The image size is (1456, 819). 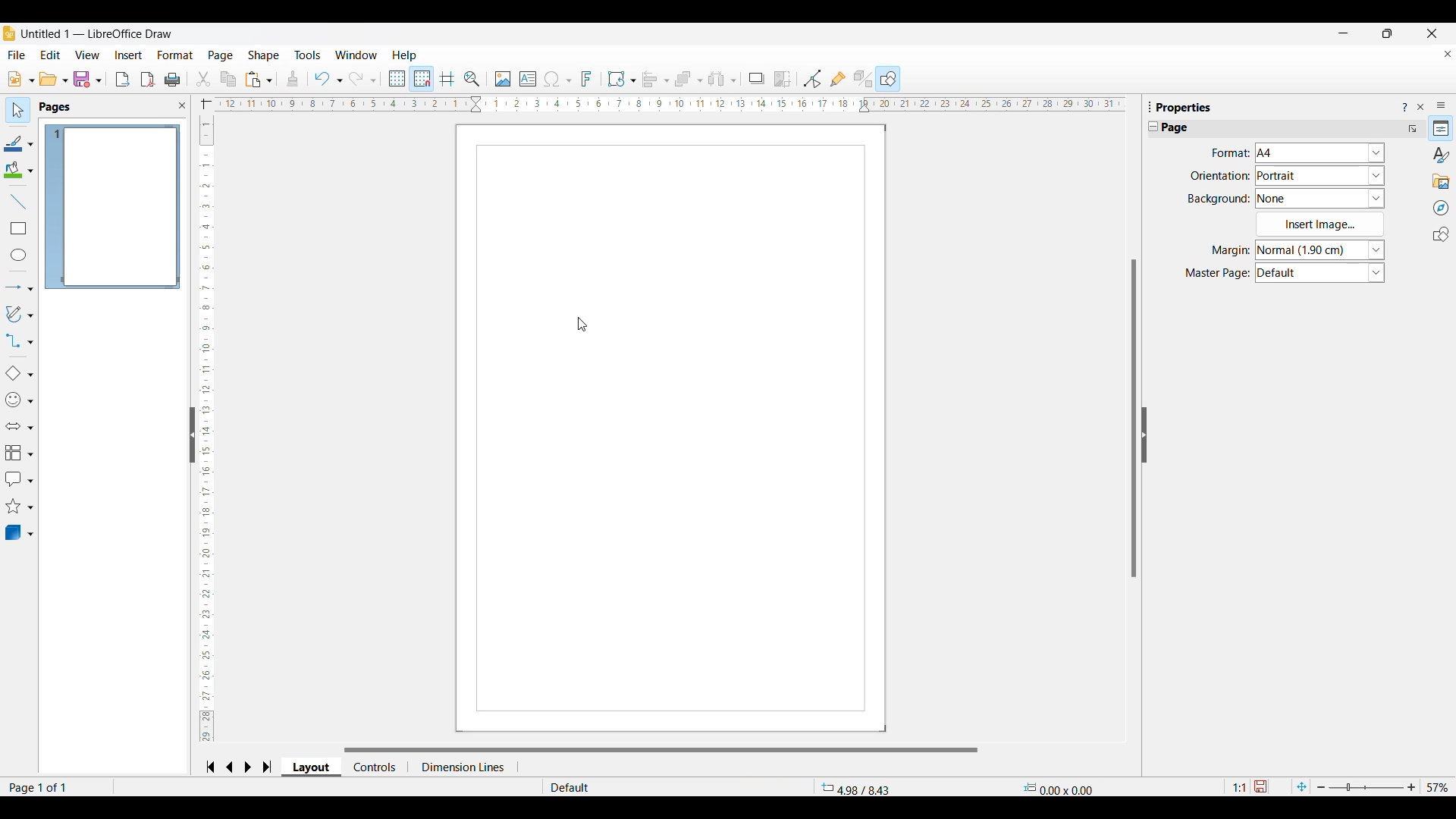 What do you see at coordinates (1260, 786) in the screenshot?
I see `Click to save document` at bounding box center [1260, 786].